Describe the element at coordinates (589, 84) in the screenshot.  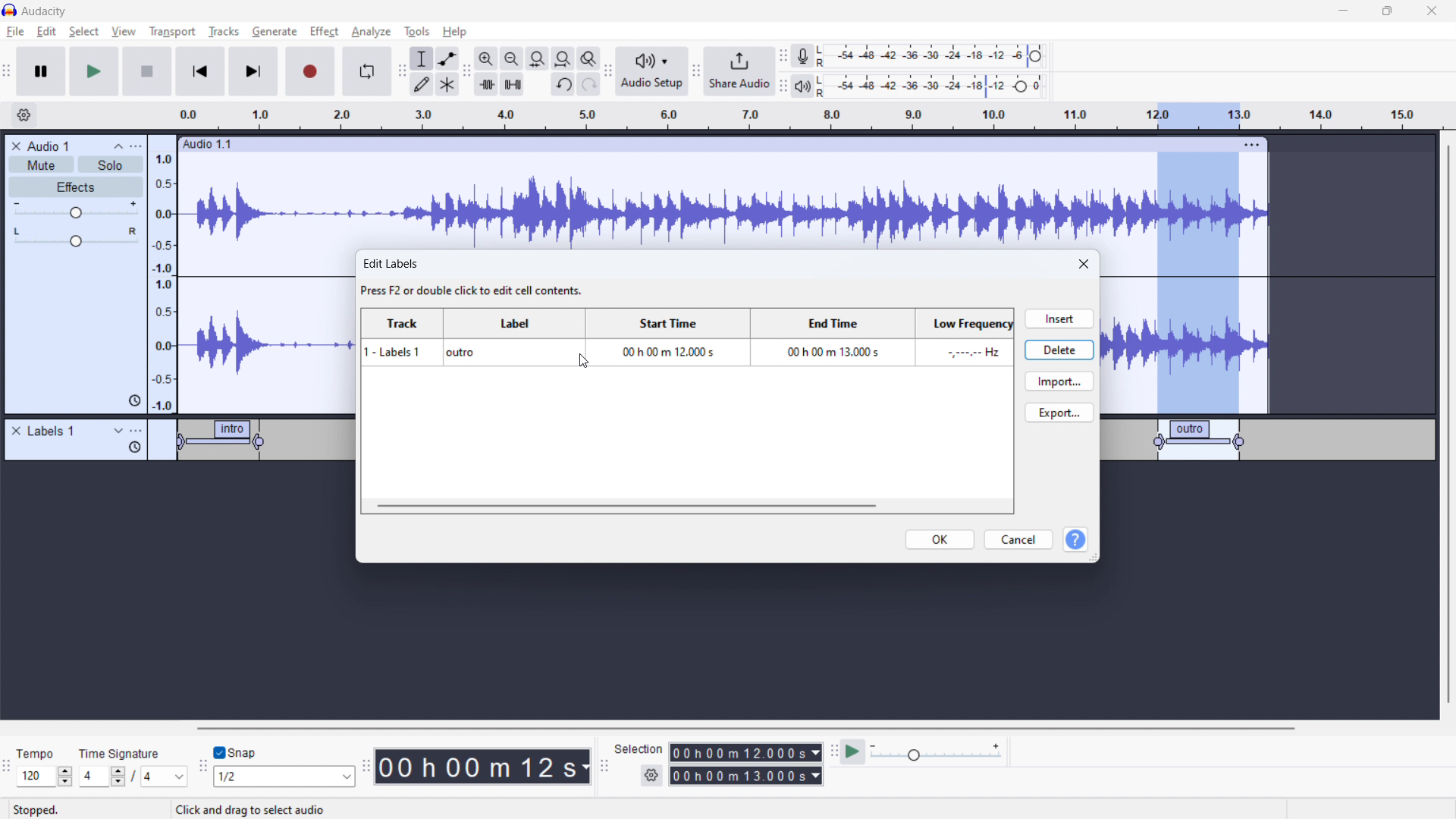
I see `undo` at that location.